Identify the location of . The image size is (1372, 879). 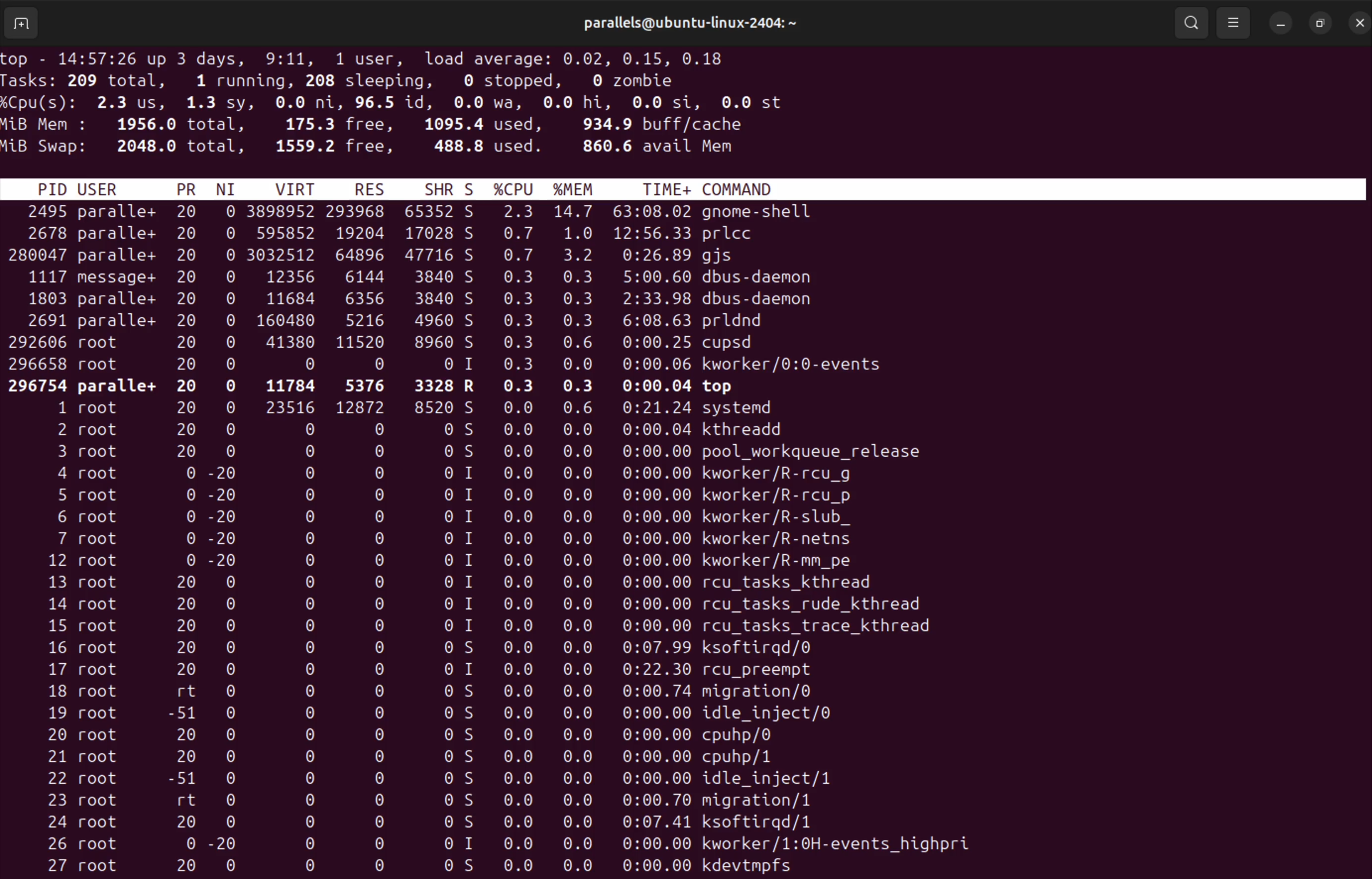
(66, 617).